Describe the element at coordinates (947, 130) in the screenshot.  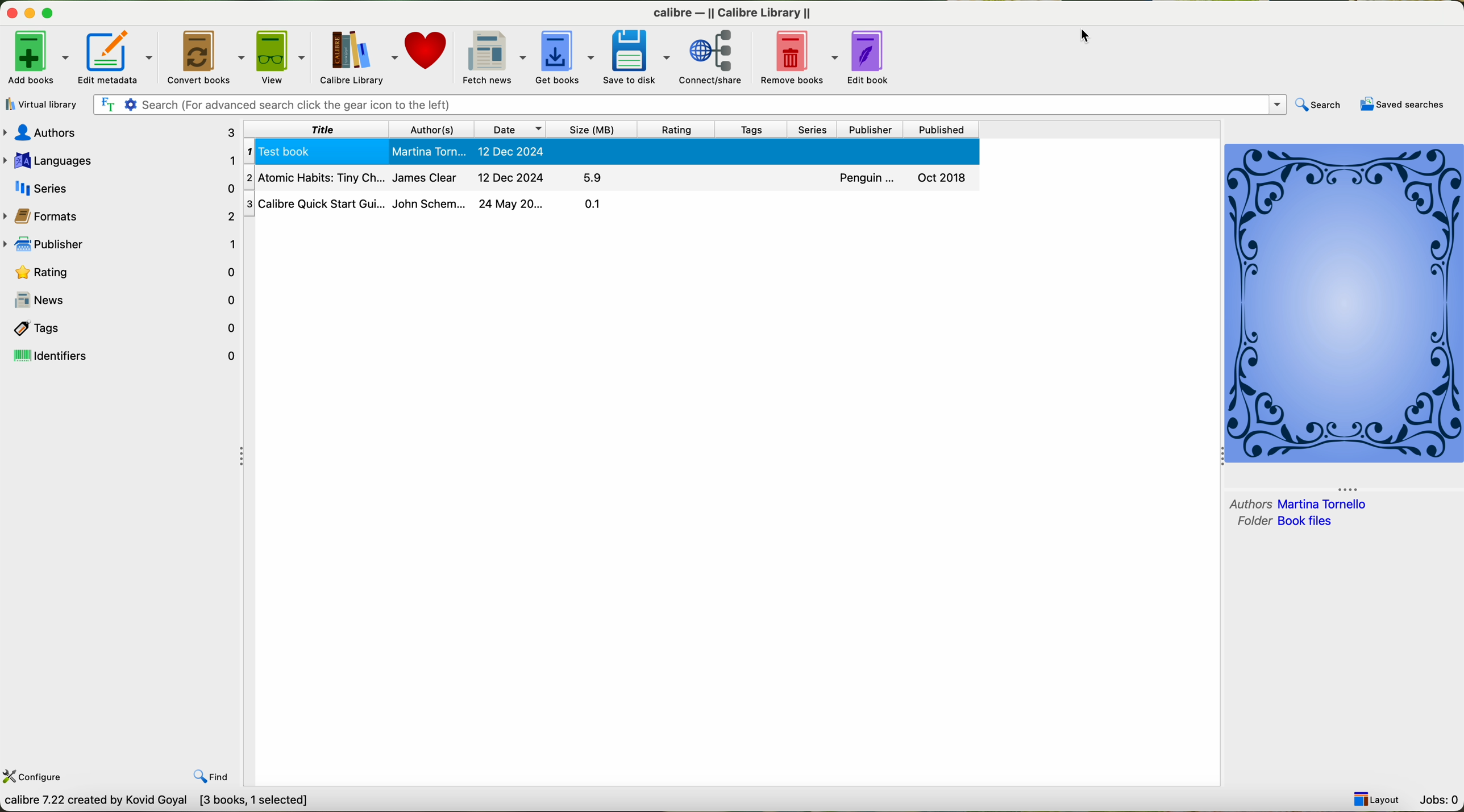
I see `published` at that location.